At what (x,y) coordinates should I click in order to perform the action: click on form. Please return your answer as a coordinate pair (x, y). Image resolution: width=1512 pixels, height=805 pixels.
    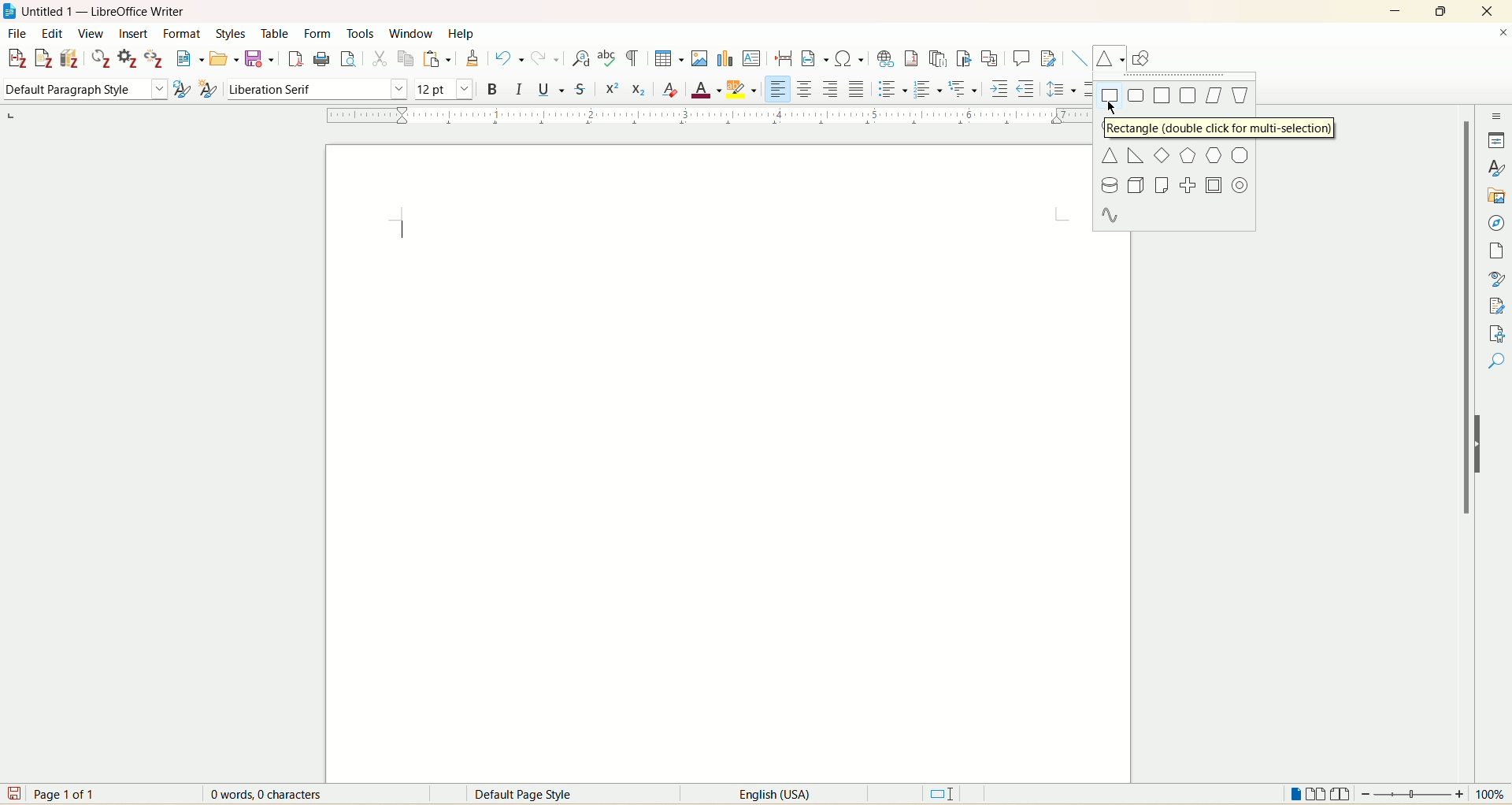
    Looking at the image, I should click on (321, 35).